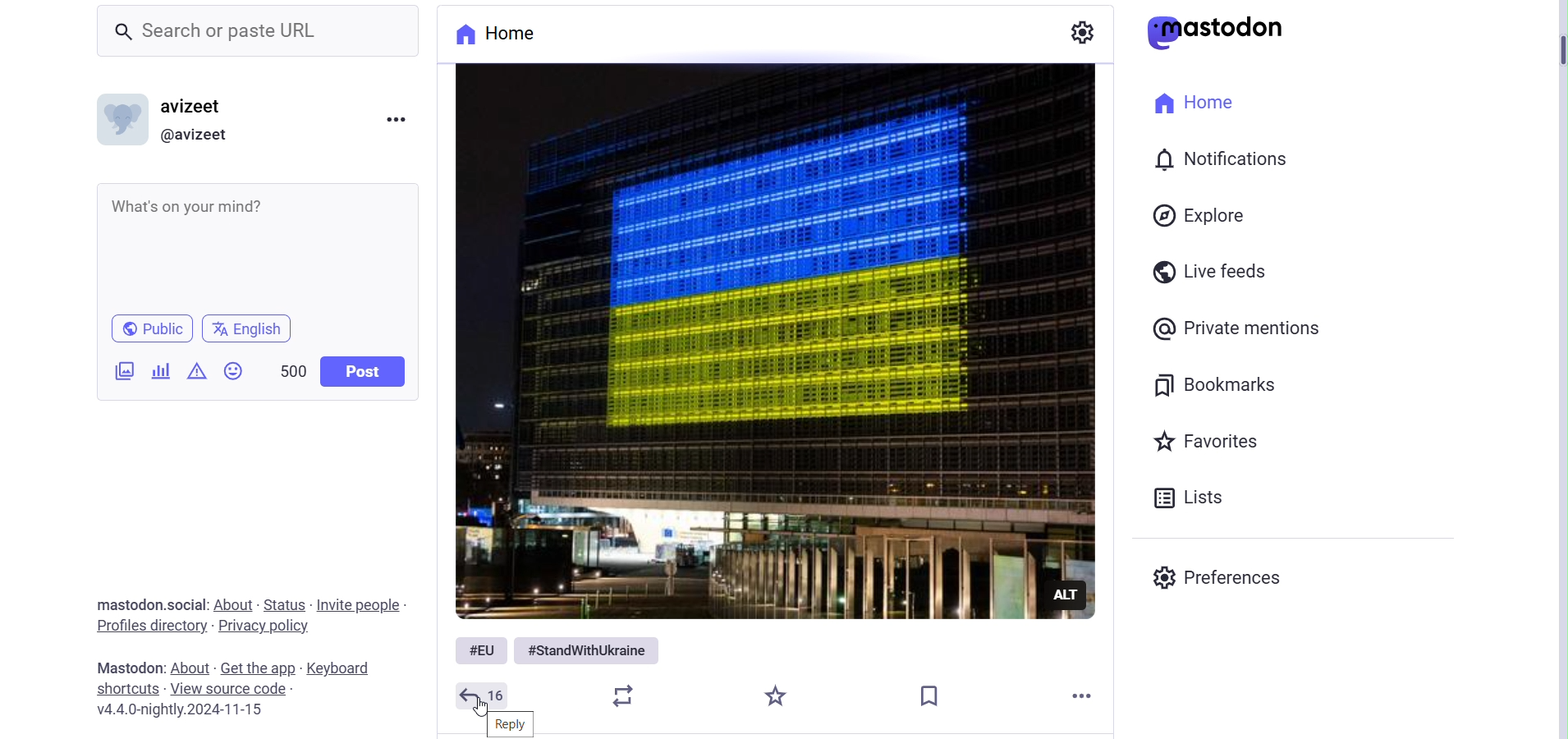 The image size is (1568, 739). What do you see at coordinates (1208, 441) in the screenshot?
I see `Favorites` at bounding box center [1208, 441].